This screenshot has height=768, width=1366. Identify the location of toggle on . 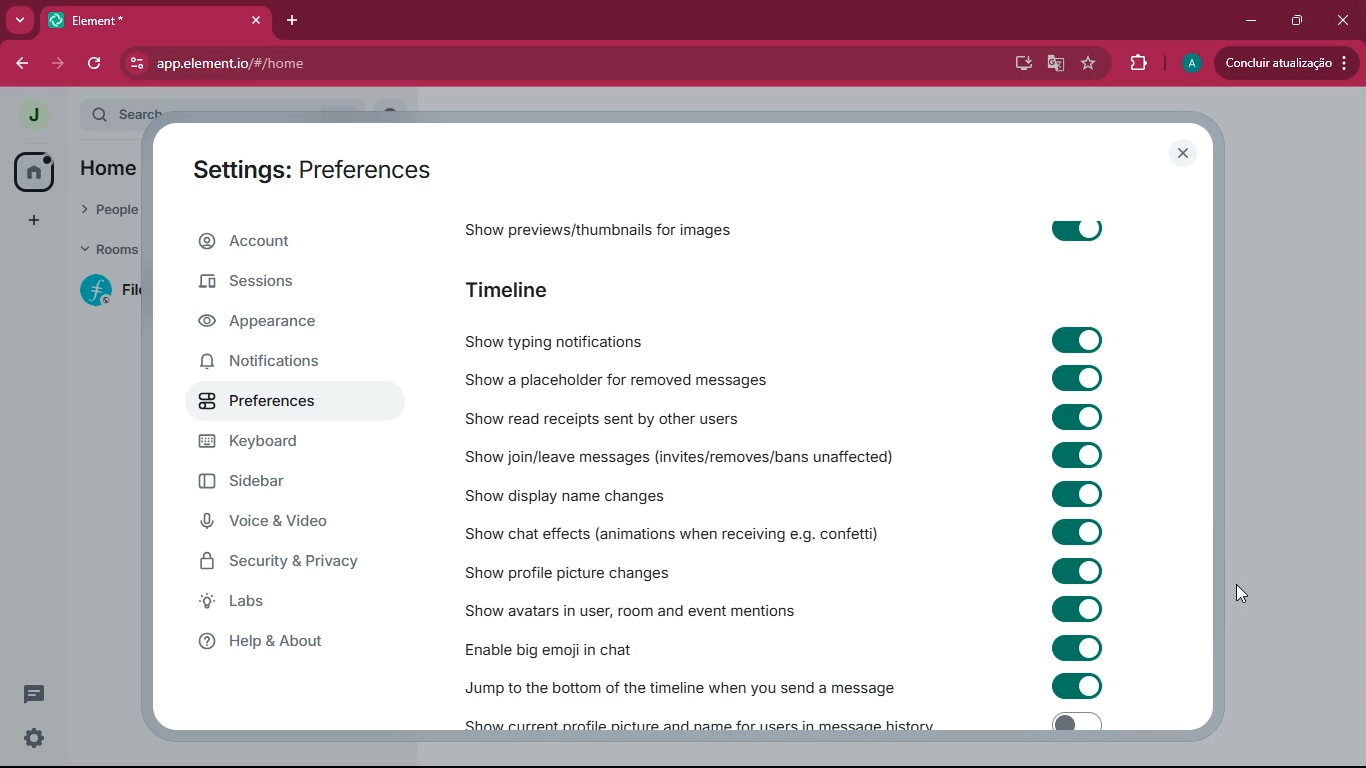
(1073, 685).